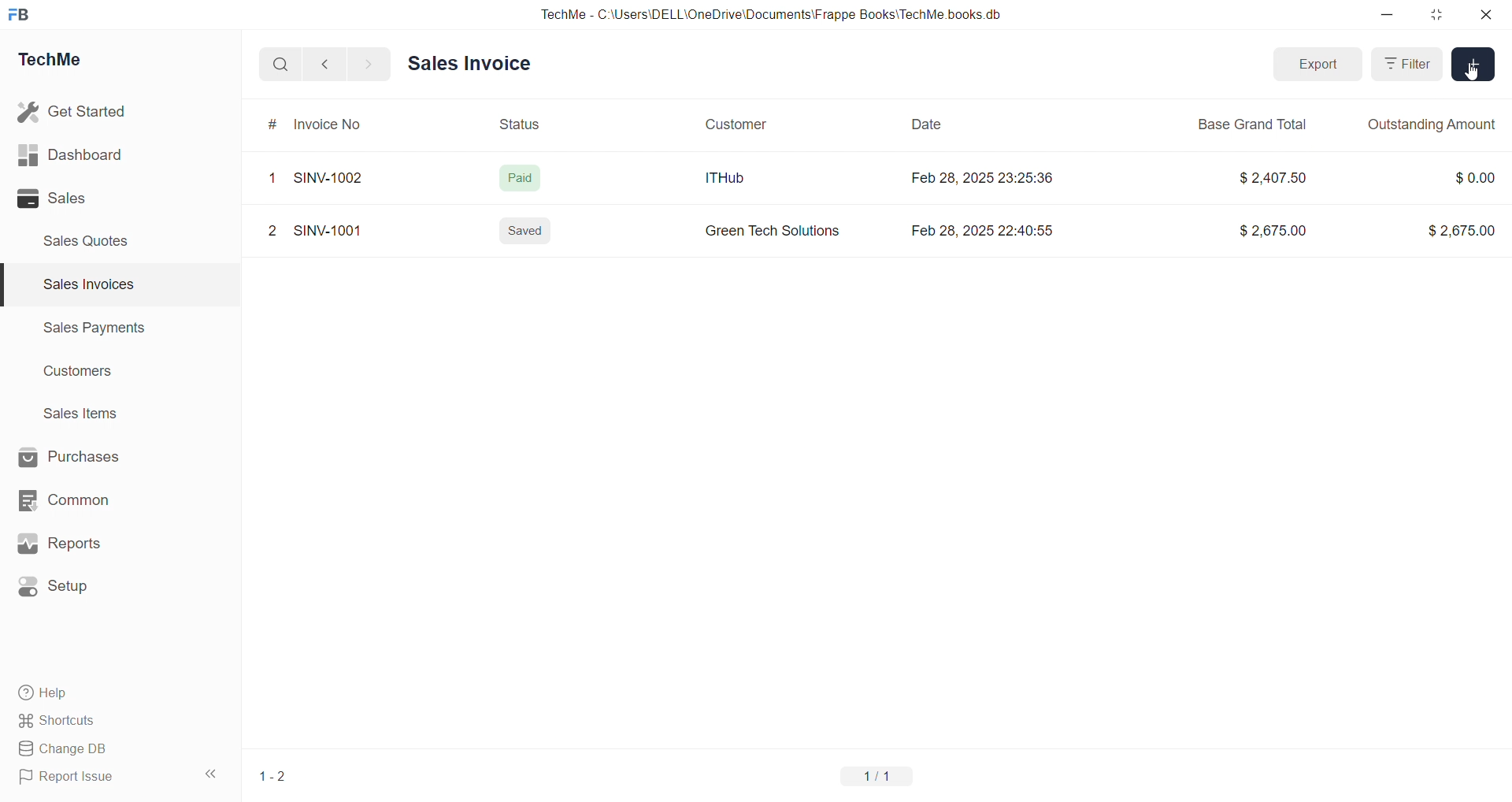  Describe the element at coordinates (62, 592) in the screenshot. I see `@ Setup` at that location.